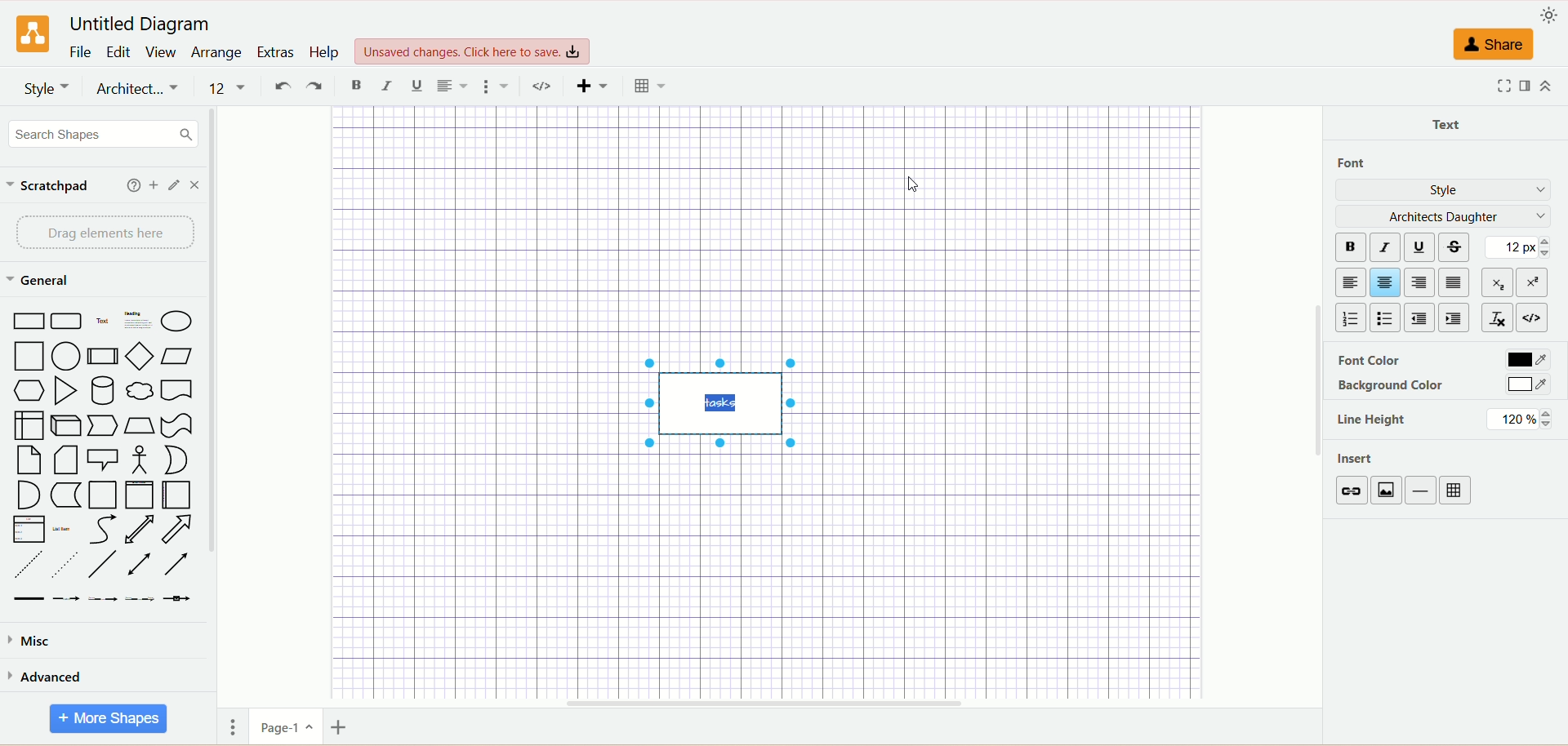 This screenshot has height=746, width=1568. What do you see at coordinates (1423, 491) in the screenshot?
I see `insert line` at bounding box center [1423, 491].